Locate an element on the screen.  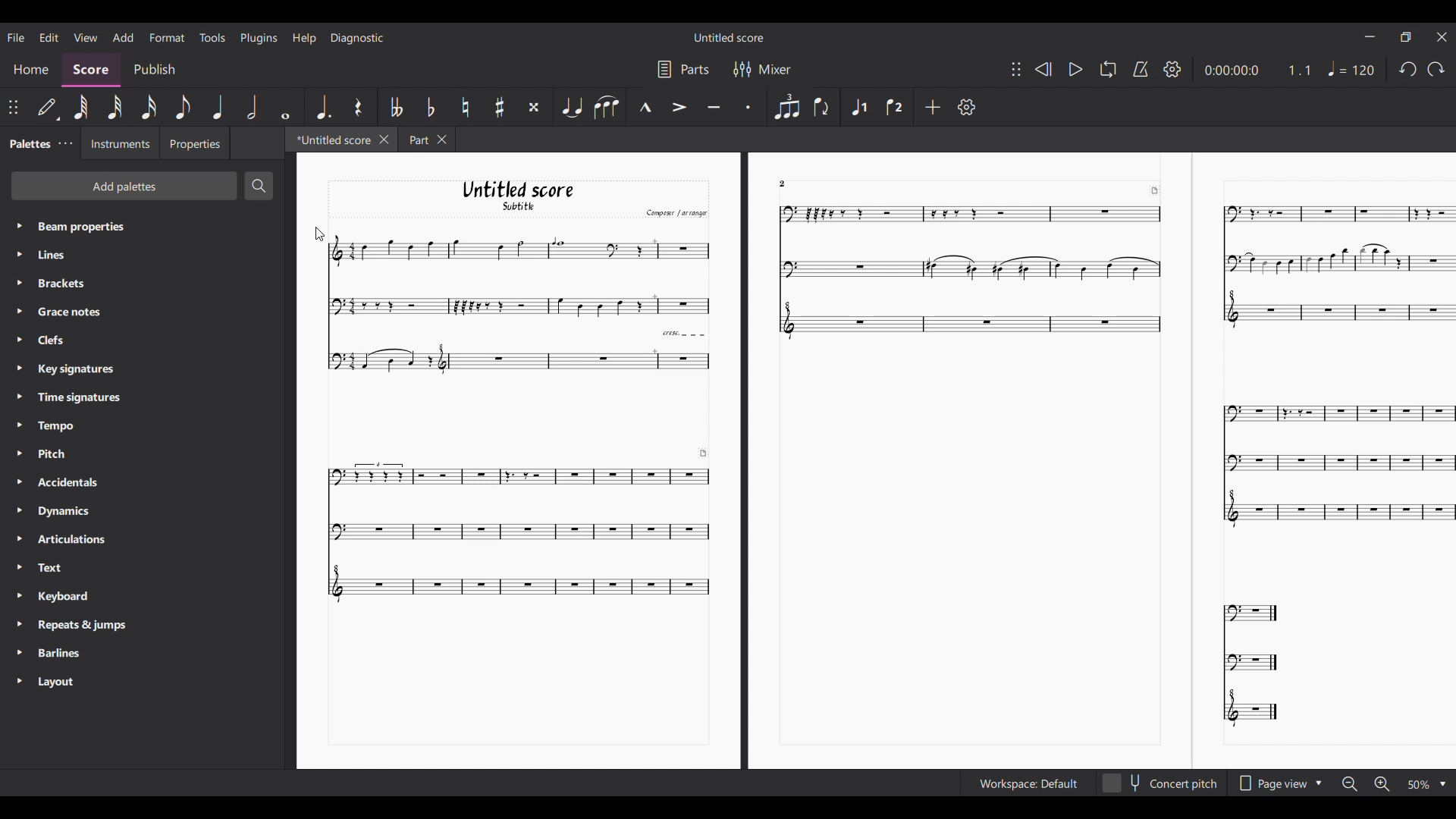
 is located at coordinates (17, 400).